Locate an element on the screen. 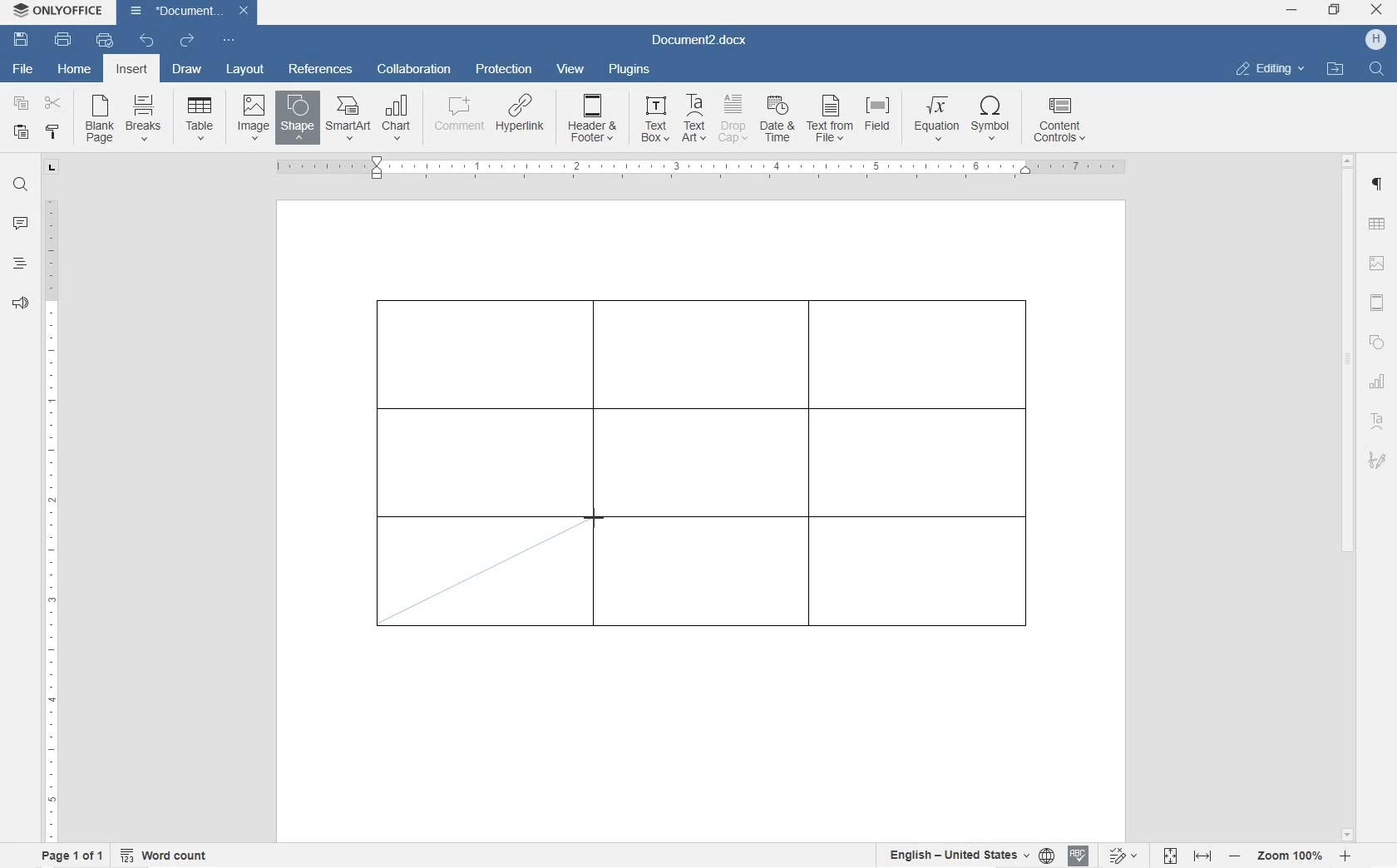 The height and width of the screenshot is (868, 1397). protection is located at coordinates (506, 70).